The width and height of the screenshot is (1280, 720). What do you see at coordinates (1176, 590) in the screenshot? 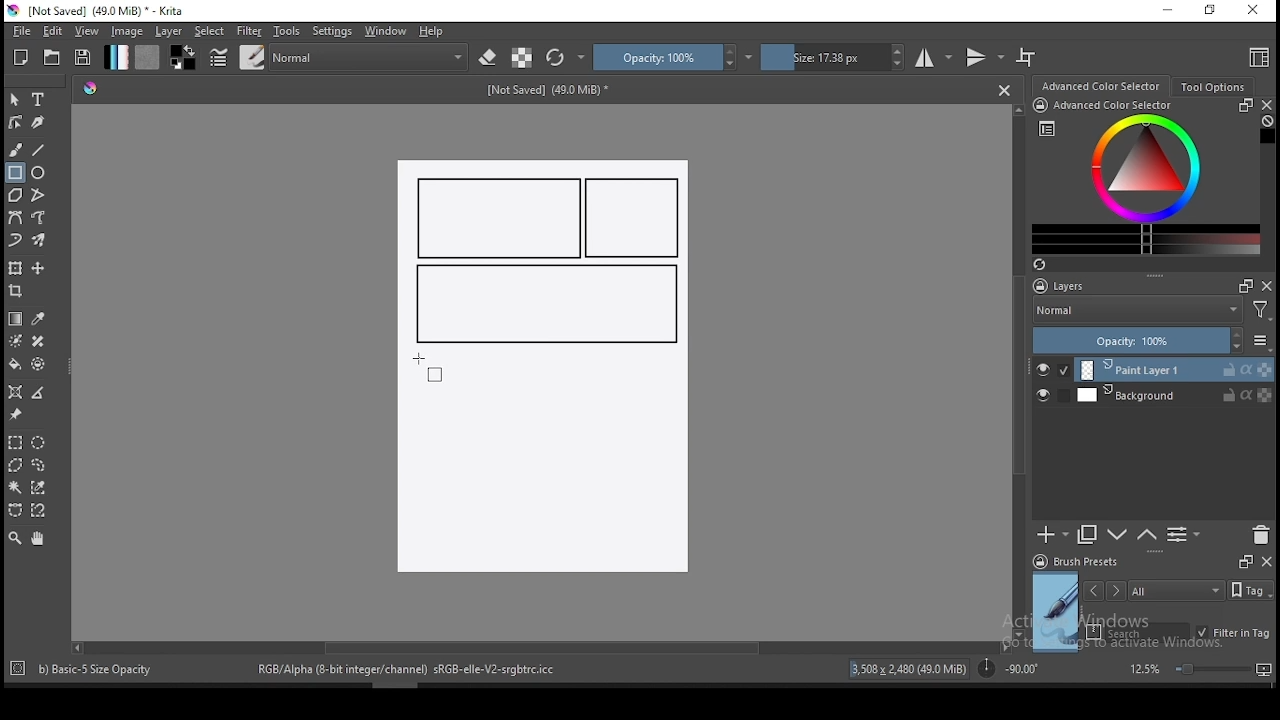
I see `tags` at bounding box center [1176, 590].